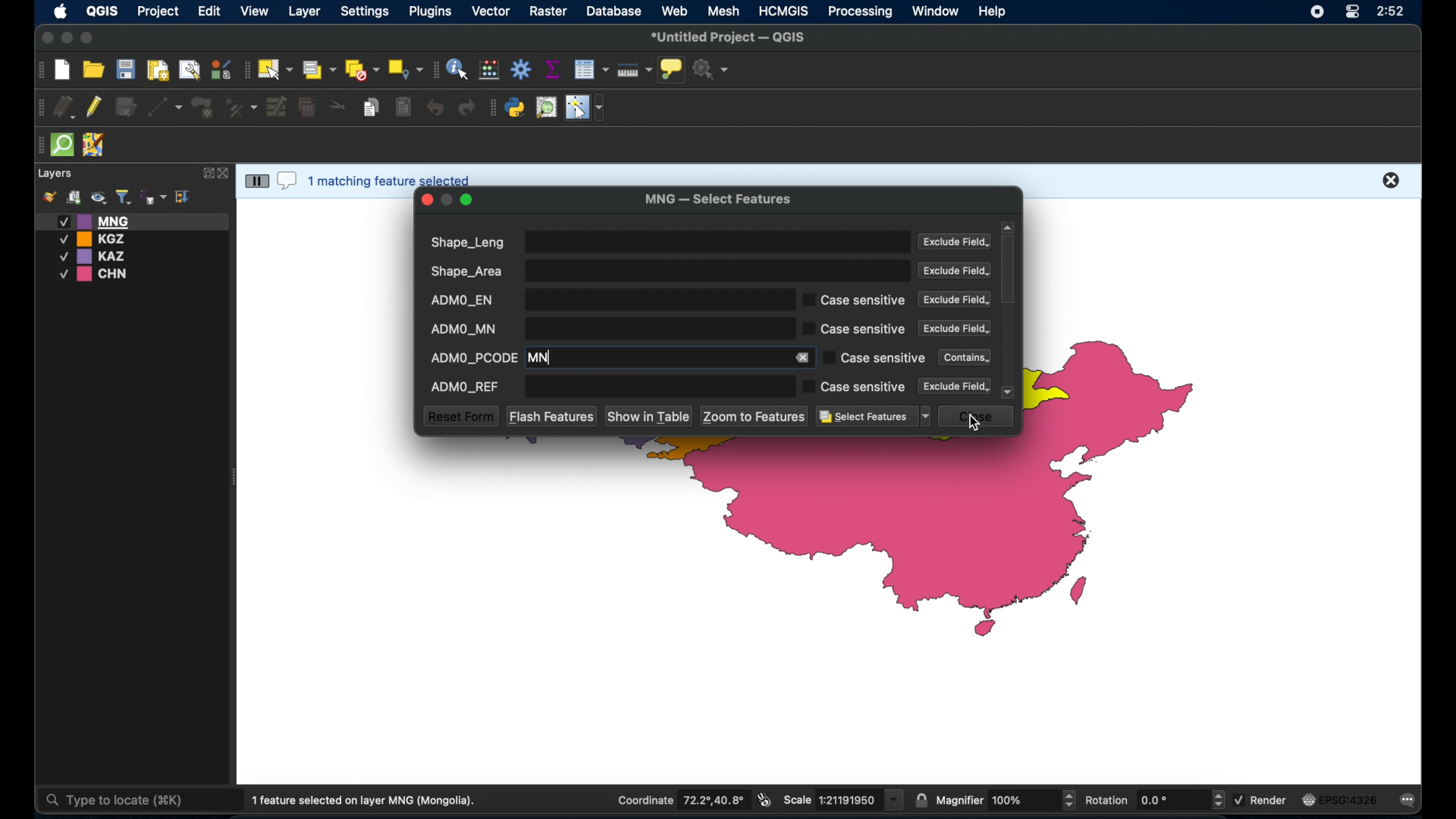 The image size is (1456, 819). Describe the element at coordinates (492, 108) in the screenshot. I see `plugins` at that location.